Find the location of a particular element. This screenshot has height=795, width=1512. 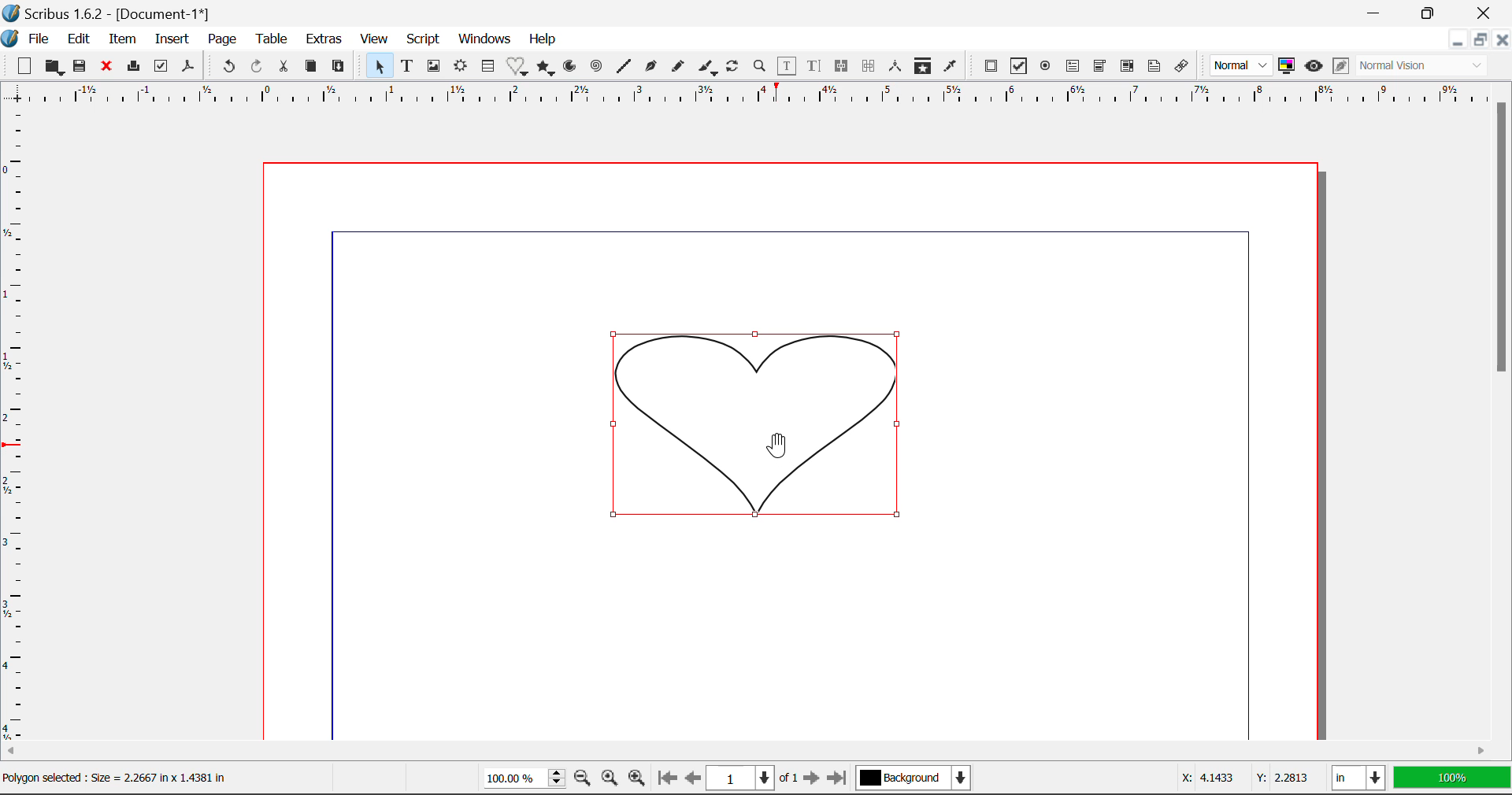

Zoom Out is located at coordinates (583, 779).